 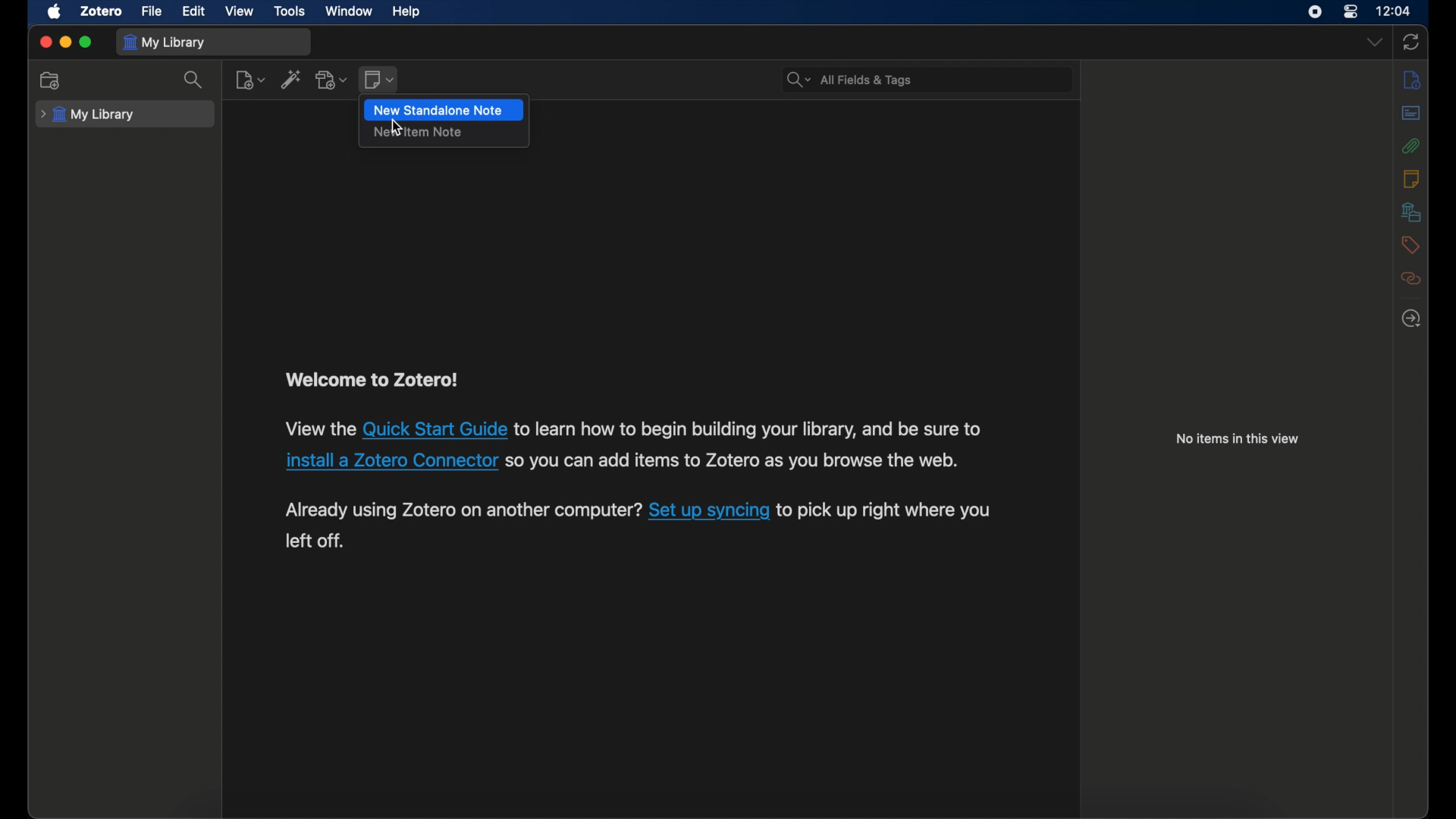 I want to click on tags, so click(x=1410, y=245).